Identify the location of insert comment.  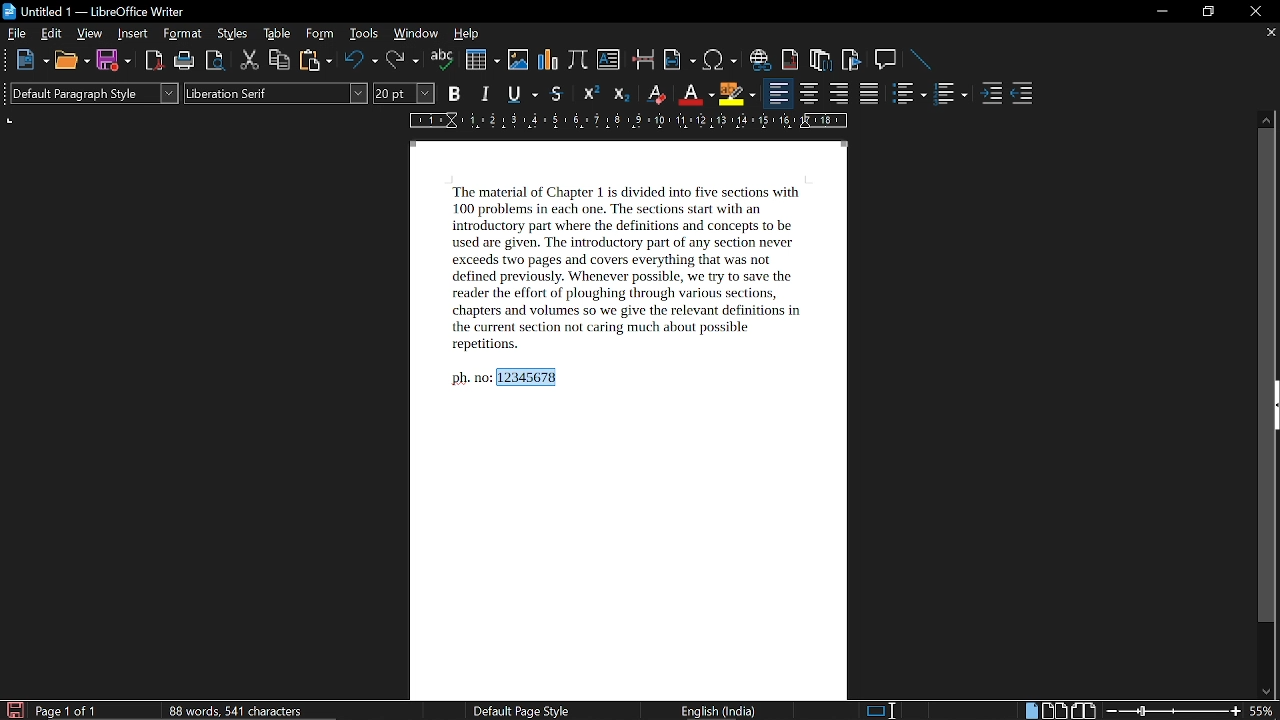
(885, 59).